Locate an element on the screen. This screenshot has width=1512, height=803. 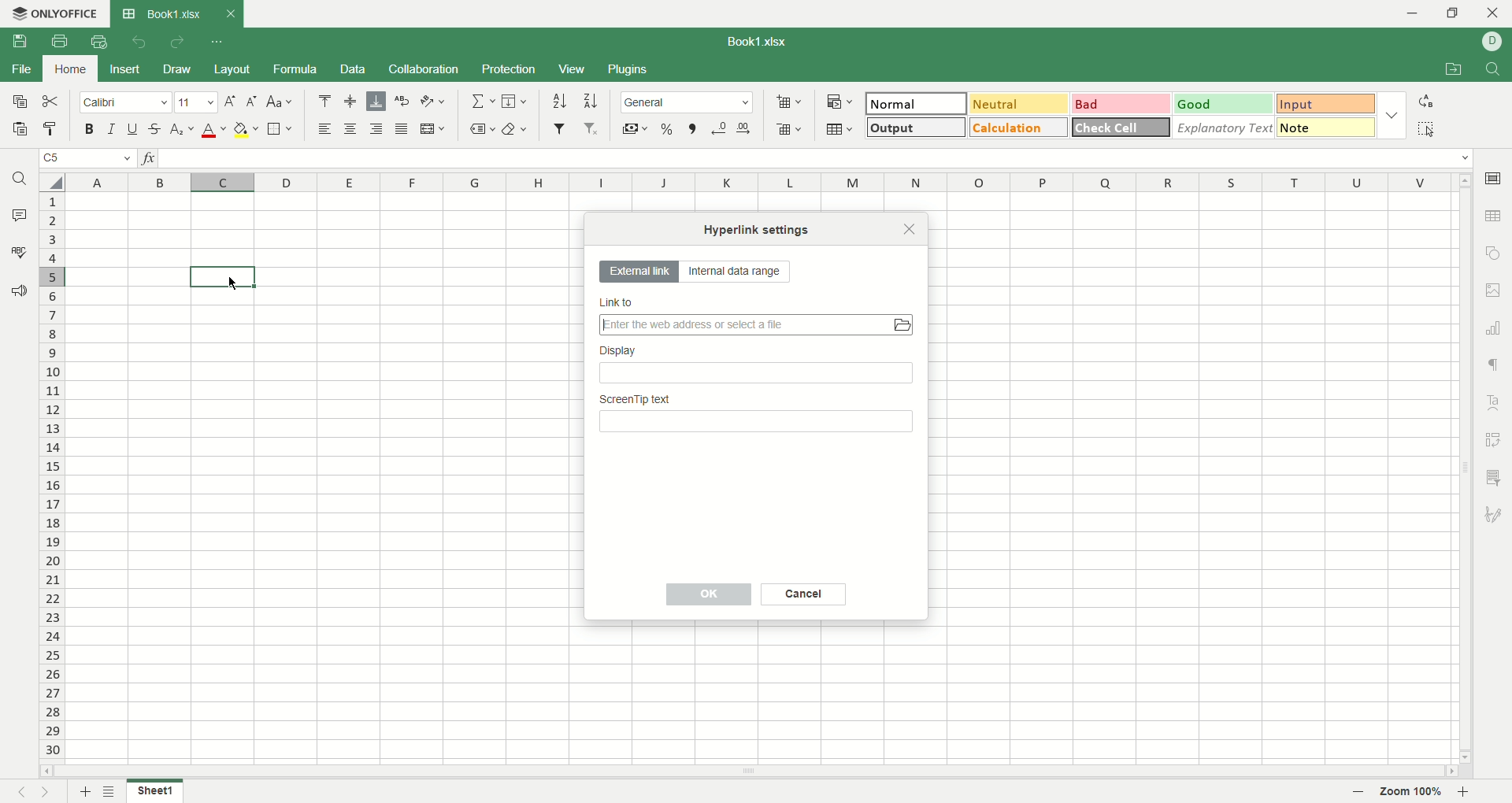
slice settings is located at coordinates (1496, 476).